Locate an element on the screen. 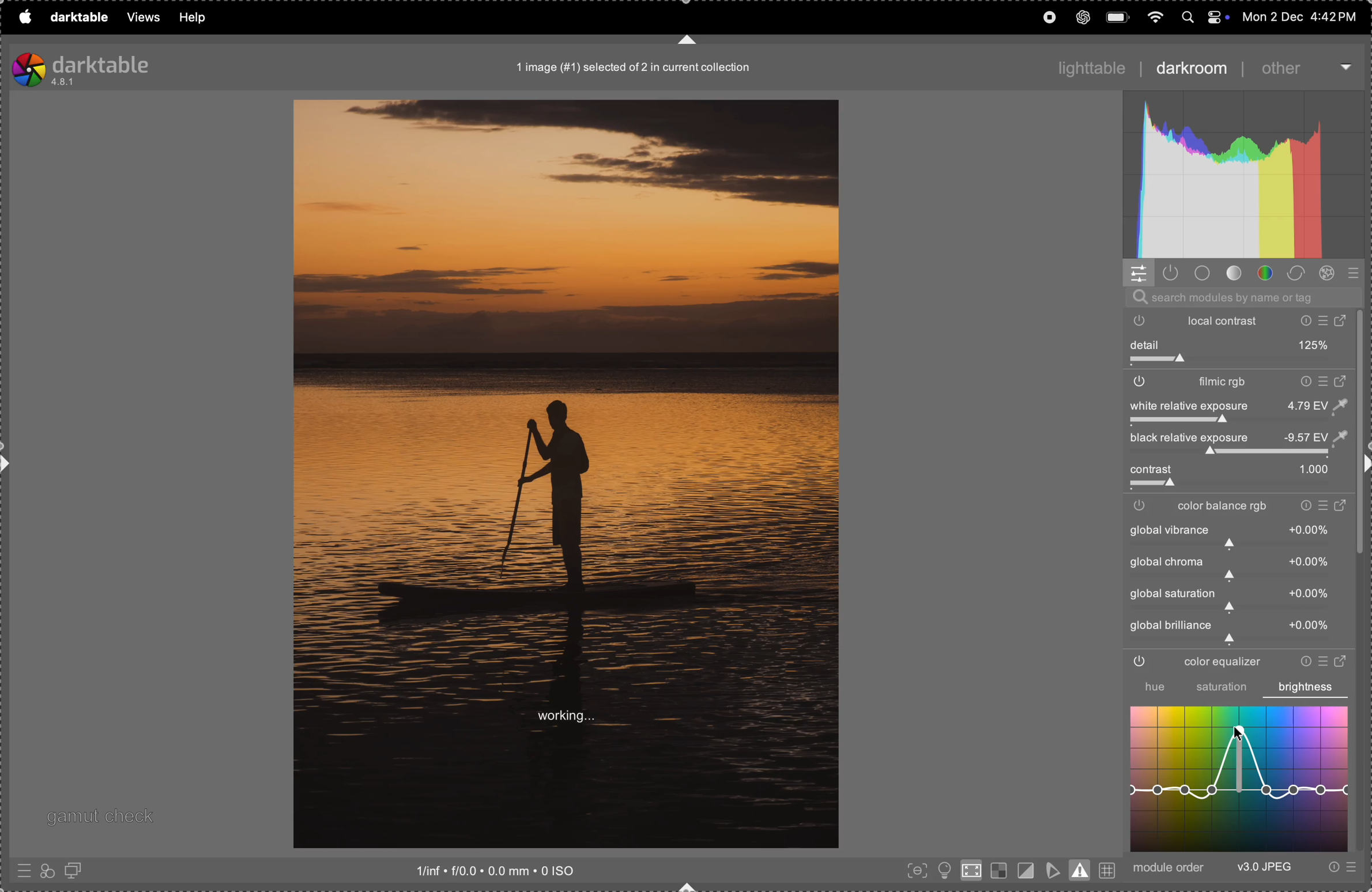 This screenshot has height=892, width=1372. apple menu is located at coordinates (24, 17).